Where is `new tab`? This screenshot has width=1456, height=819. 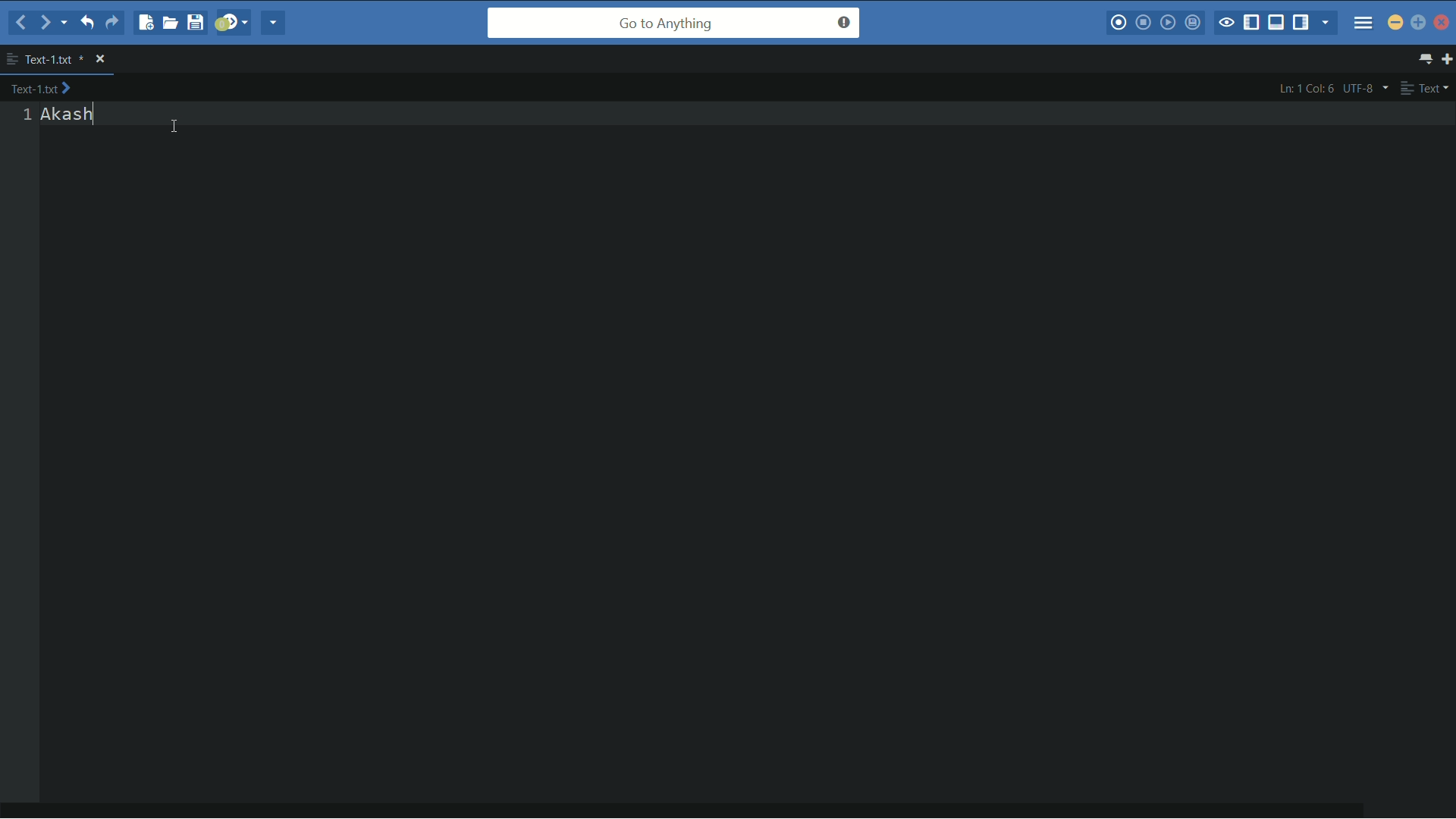 new tab is located at coordinates (1447, 58).